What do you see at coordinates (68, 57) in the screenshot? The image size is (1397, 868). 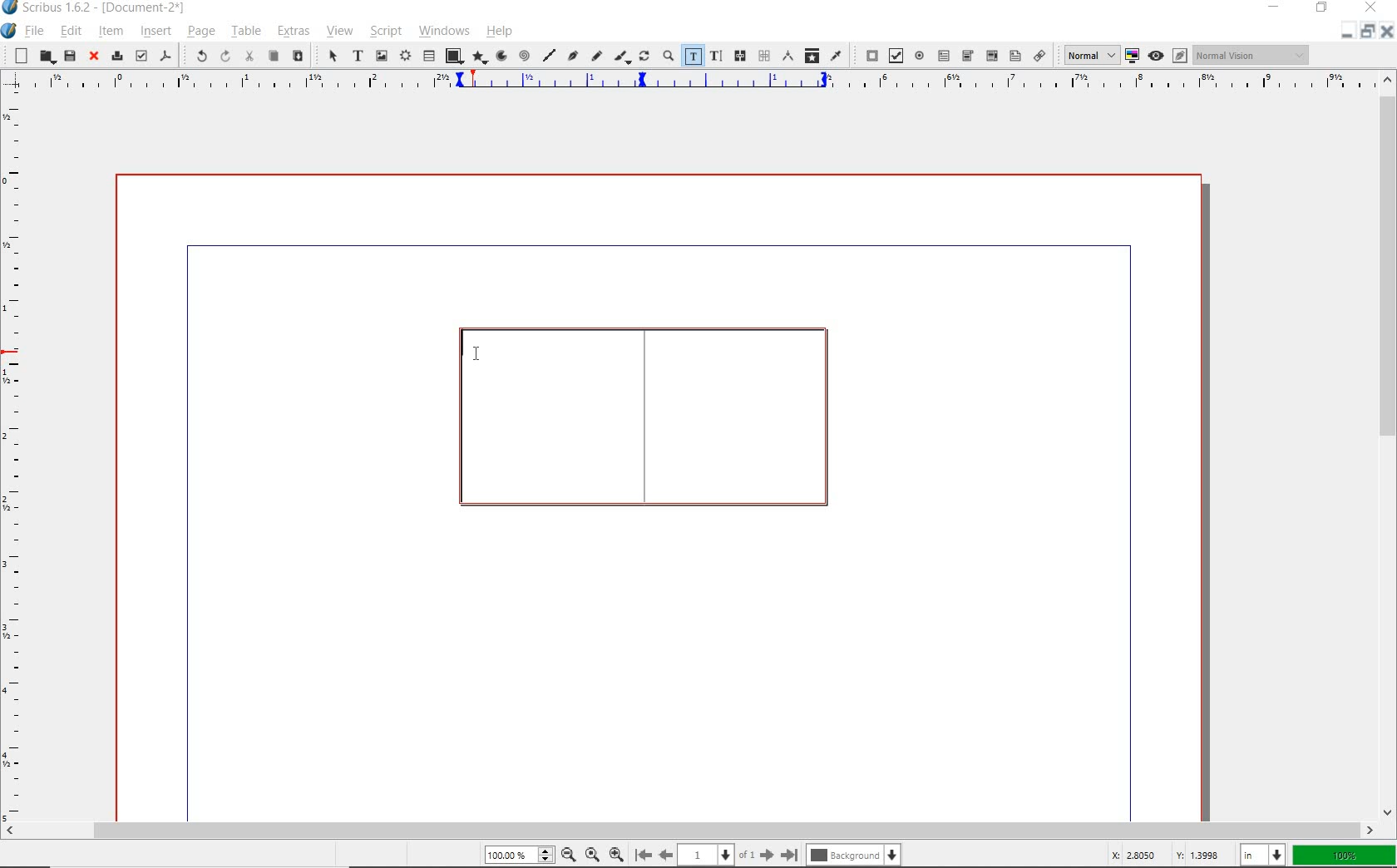 I see `save` at bounding box center [68, 57].